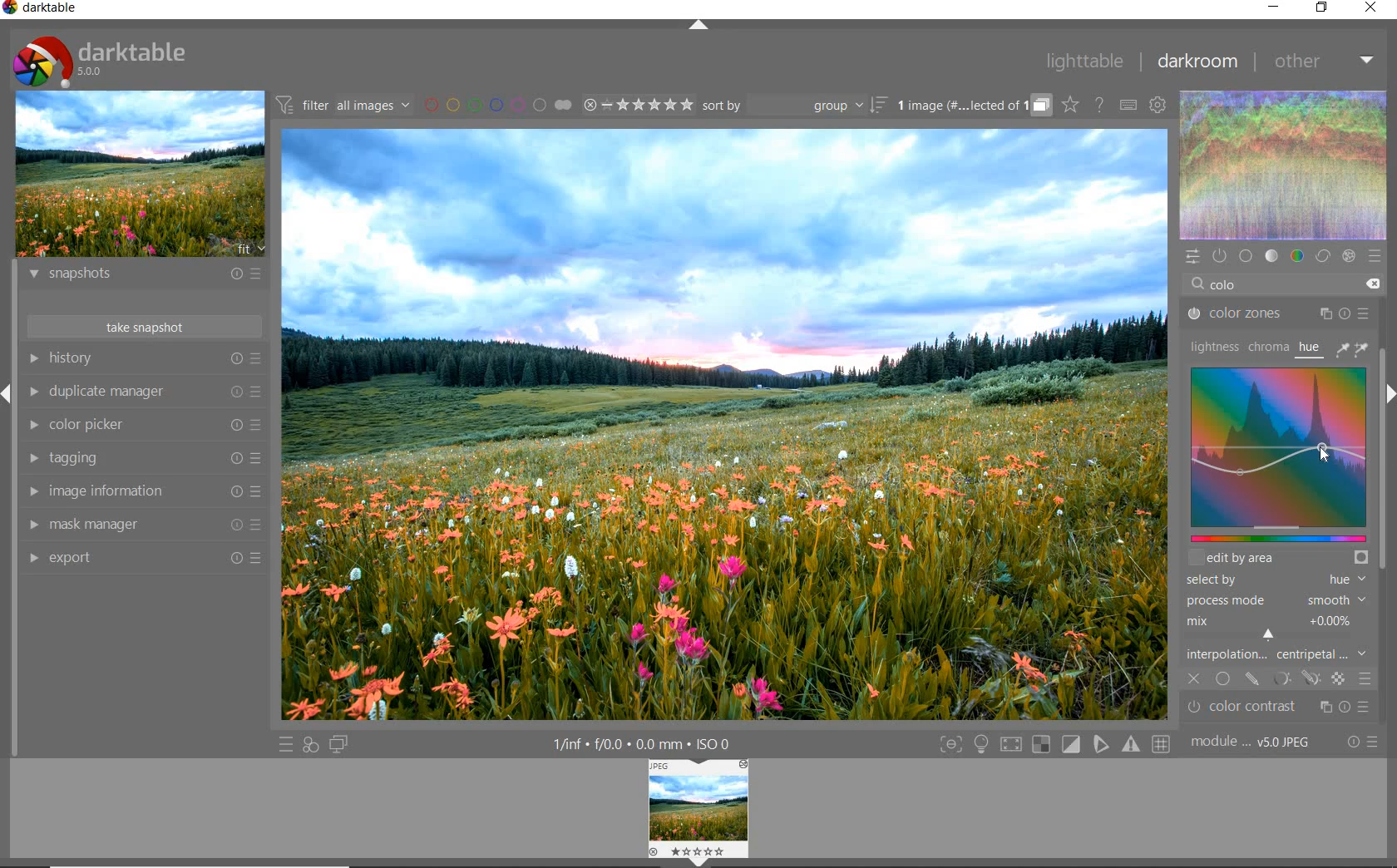  Describe the element at coordinates (1296, 679) in the screenshot. I see `mask options` at that location.